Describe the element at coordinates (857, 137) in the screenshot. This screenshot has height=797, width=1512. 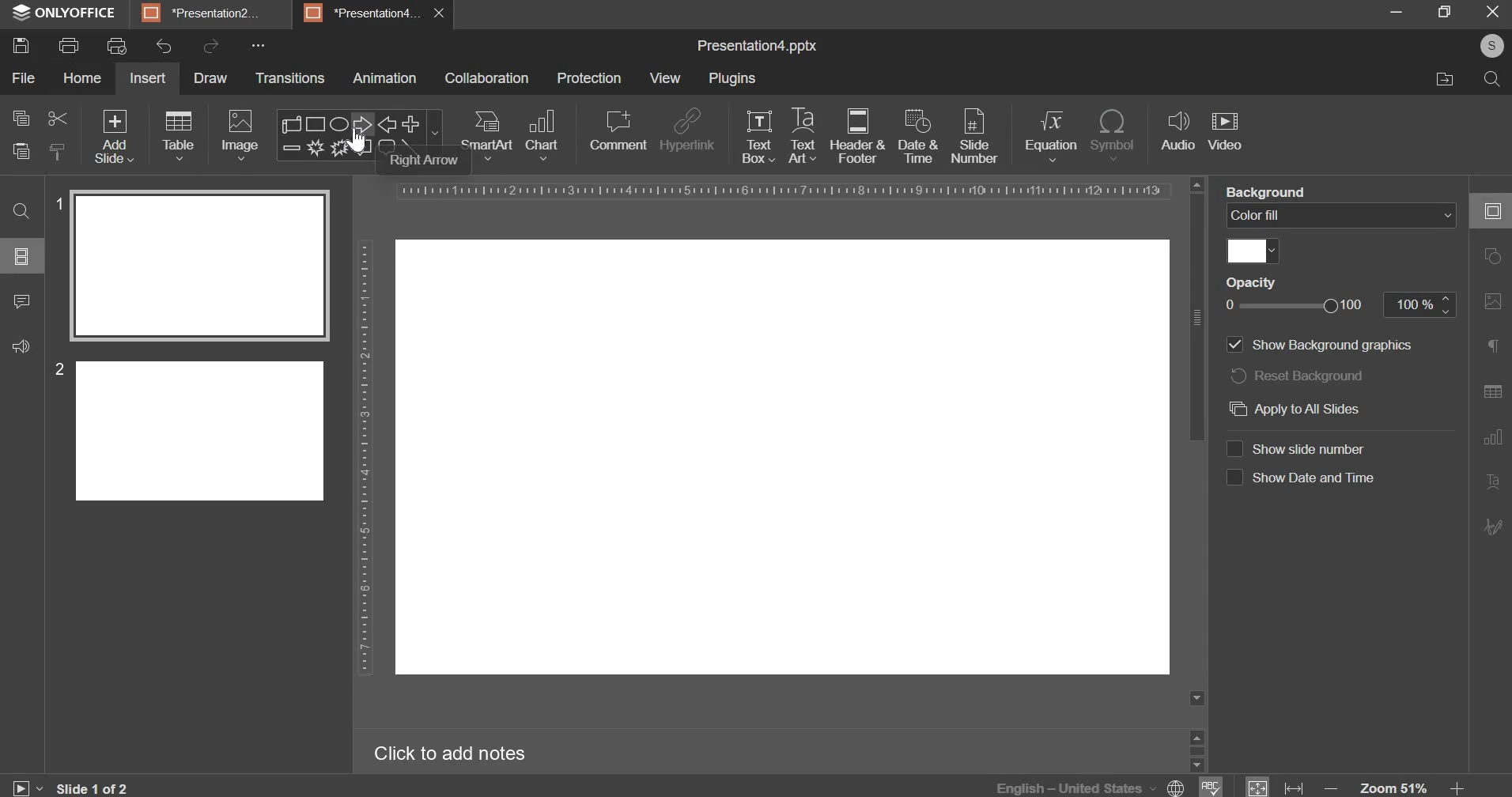
I see `header & footer` at that location.